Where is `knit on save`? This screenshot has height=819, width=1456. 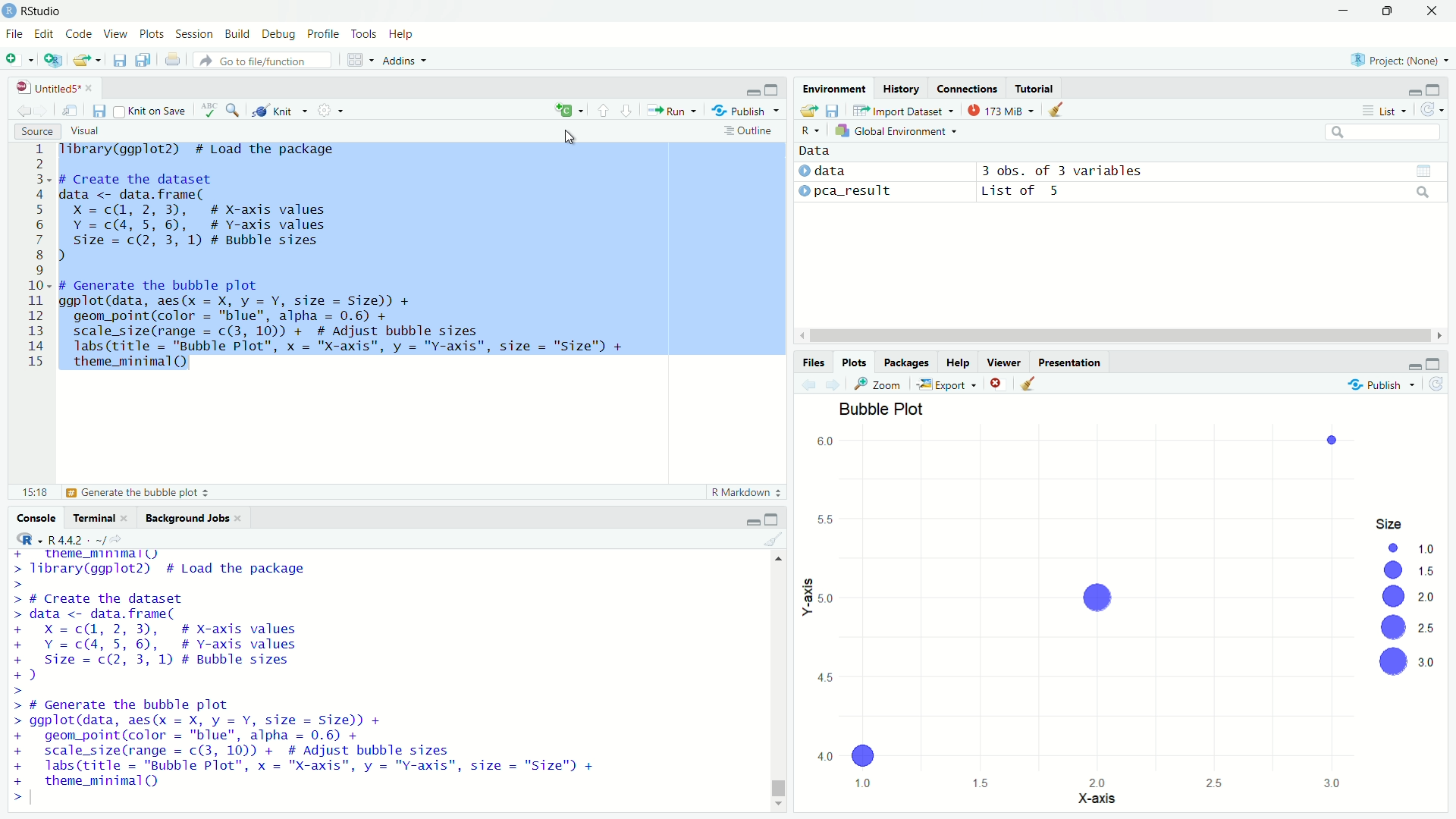
knit on save is located at coordinates (152, 110).